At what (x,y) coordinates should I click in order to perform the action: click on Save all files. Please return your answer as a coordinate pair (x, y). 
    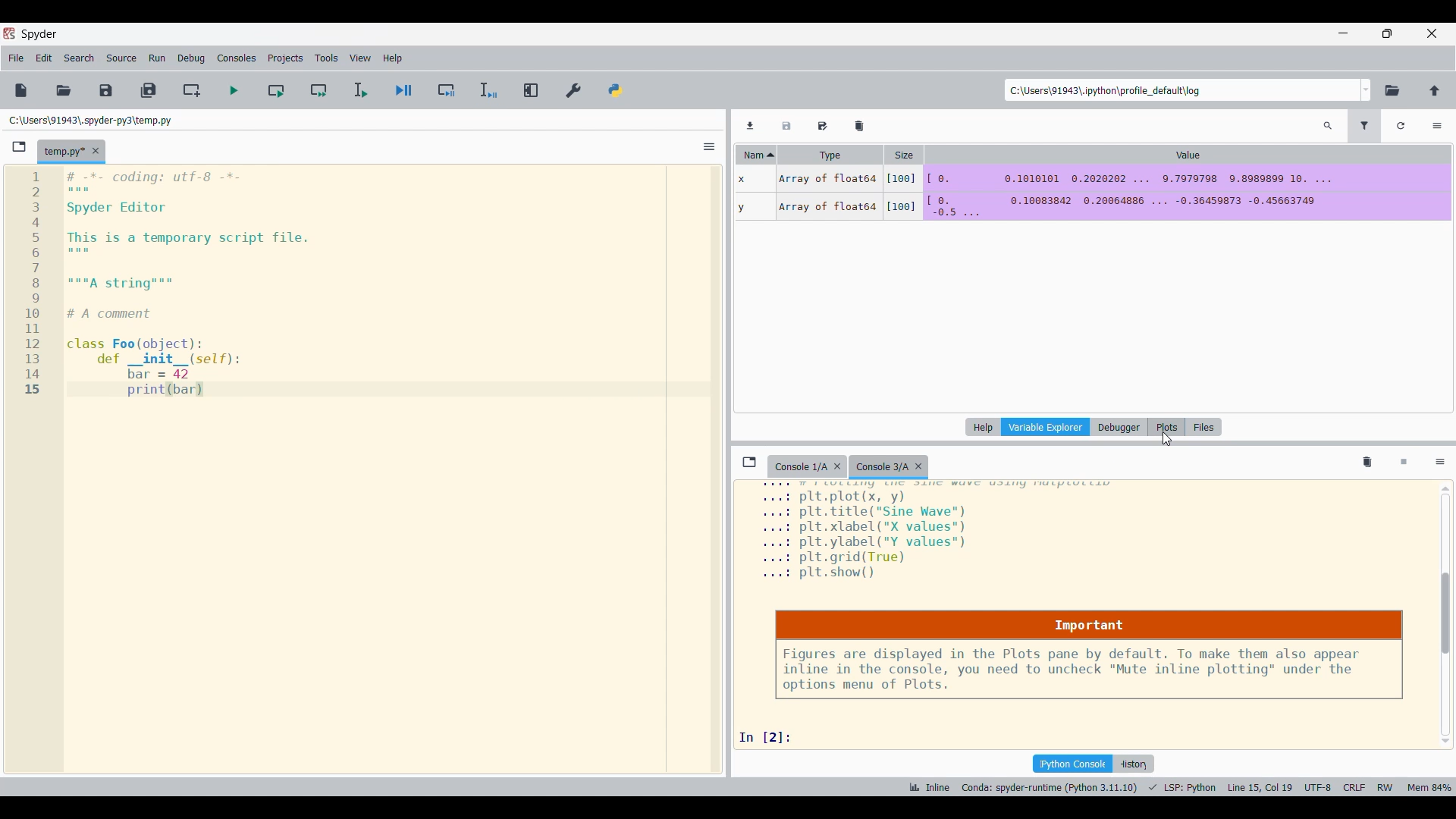
    Looking at the image, I should click on (149, 90).